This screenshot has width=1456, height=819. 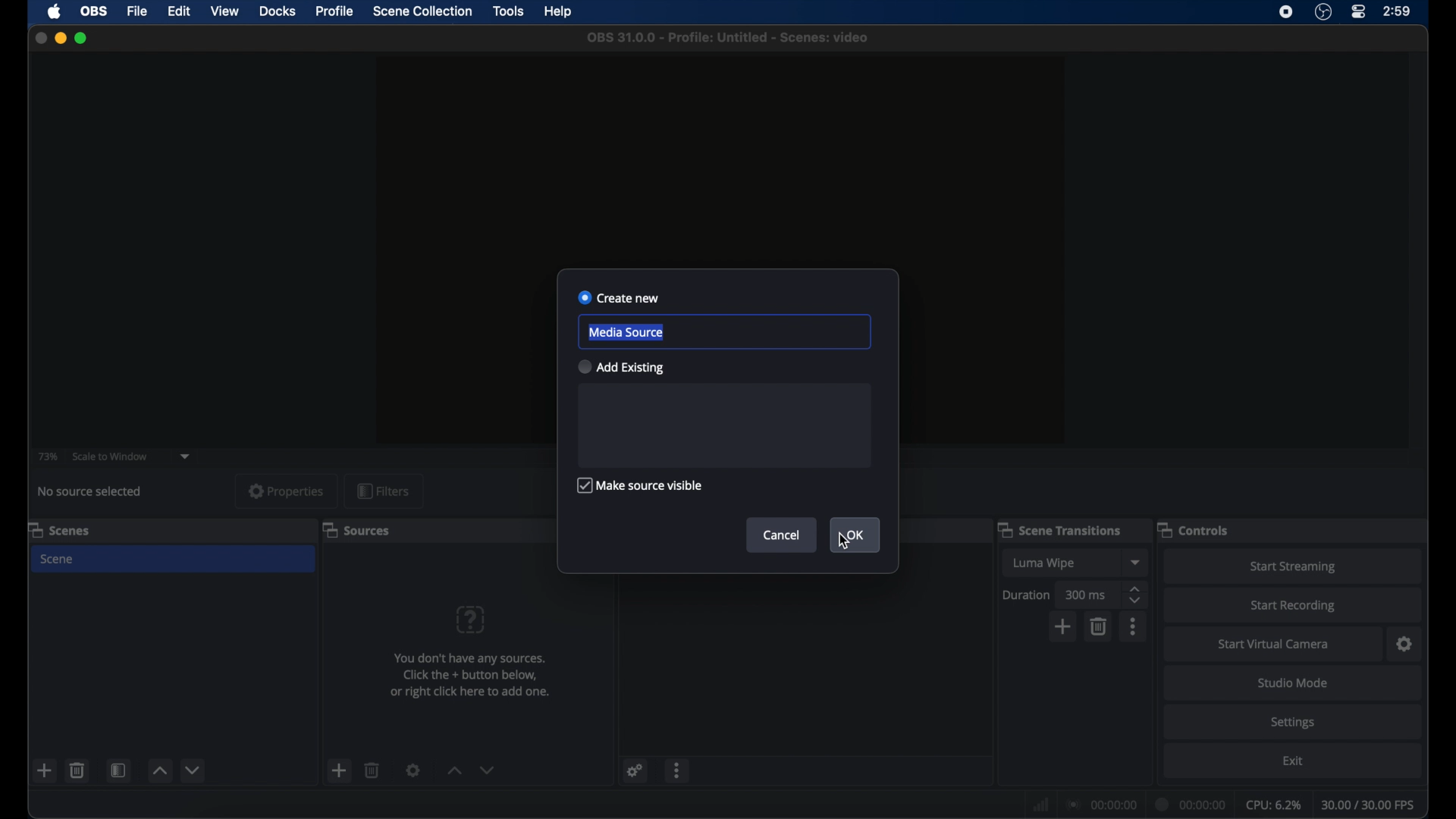 I want to click on ob, so click(x=96, y=11).